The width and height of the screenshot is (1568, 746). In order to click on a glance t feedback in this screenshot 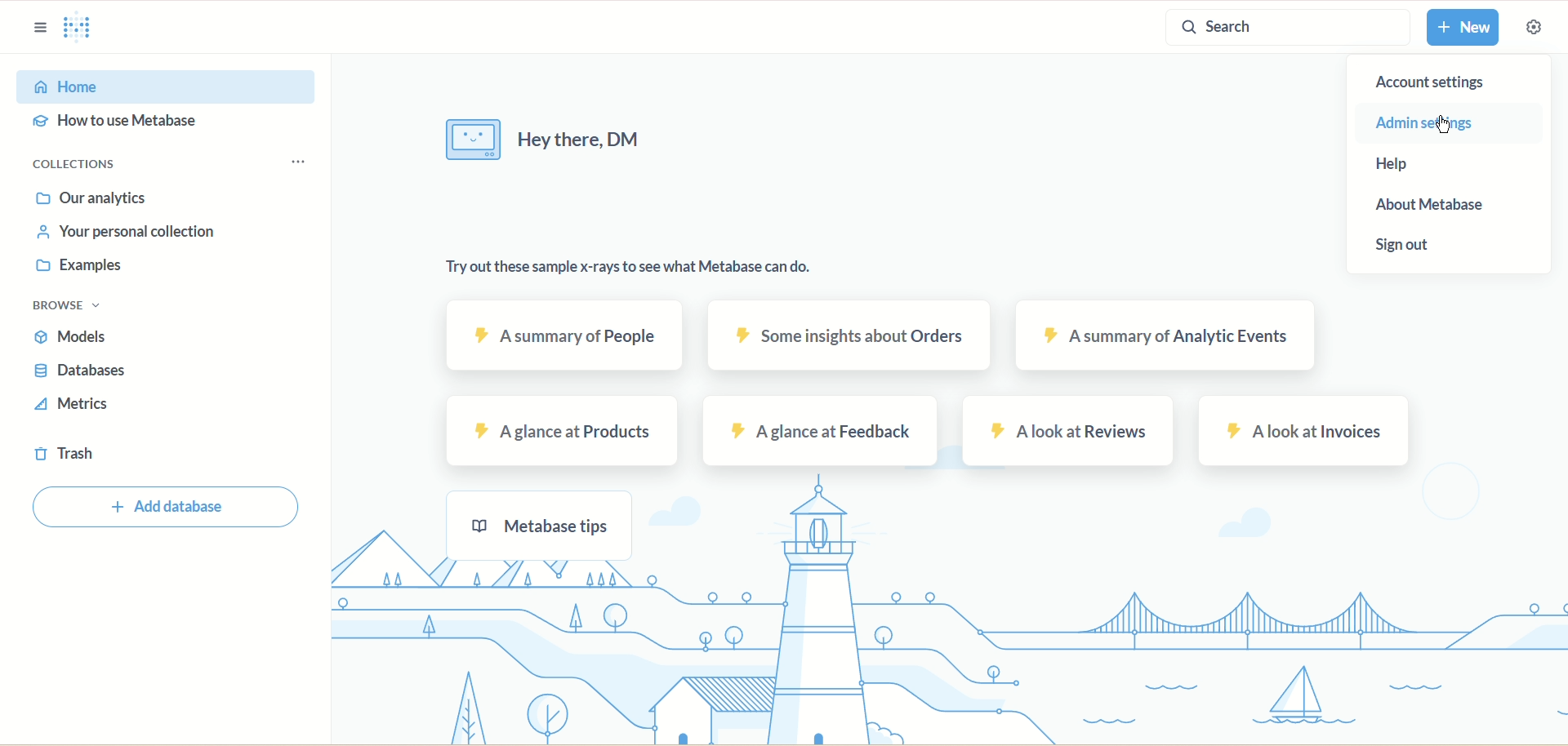, I will do `click(820, 431)`.